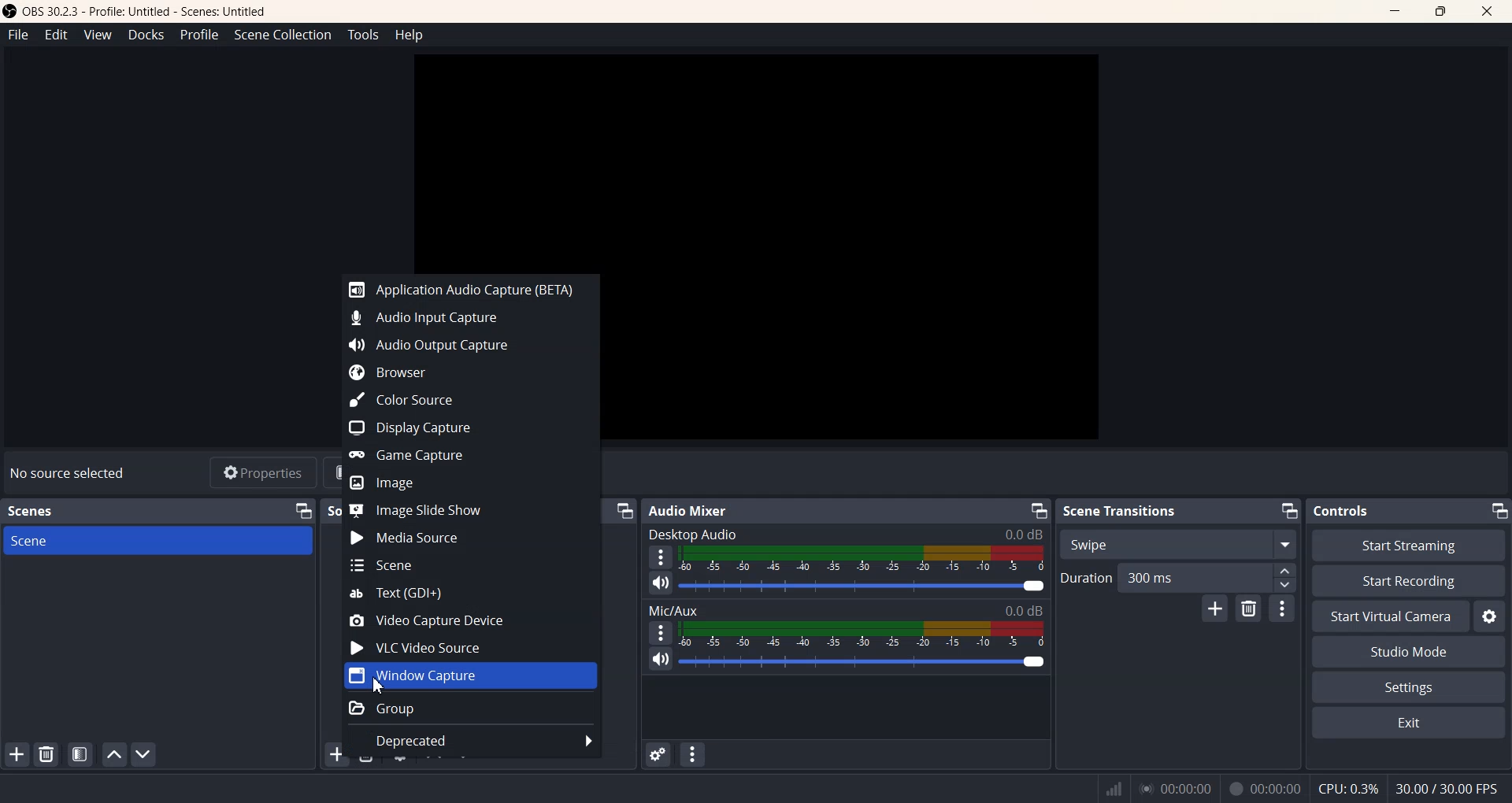 The height and width of the screenshot is (803, 1512). I want to click on Desktop Audio 0.0 dB, so click(846, 534).